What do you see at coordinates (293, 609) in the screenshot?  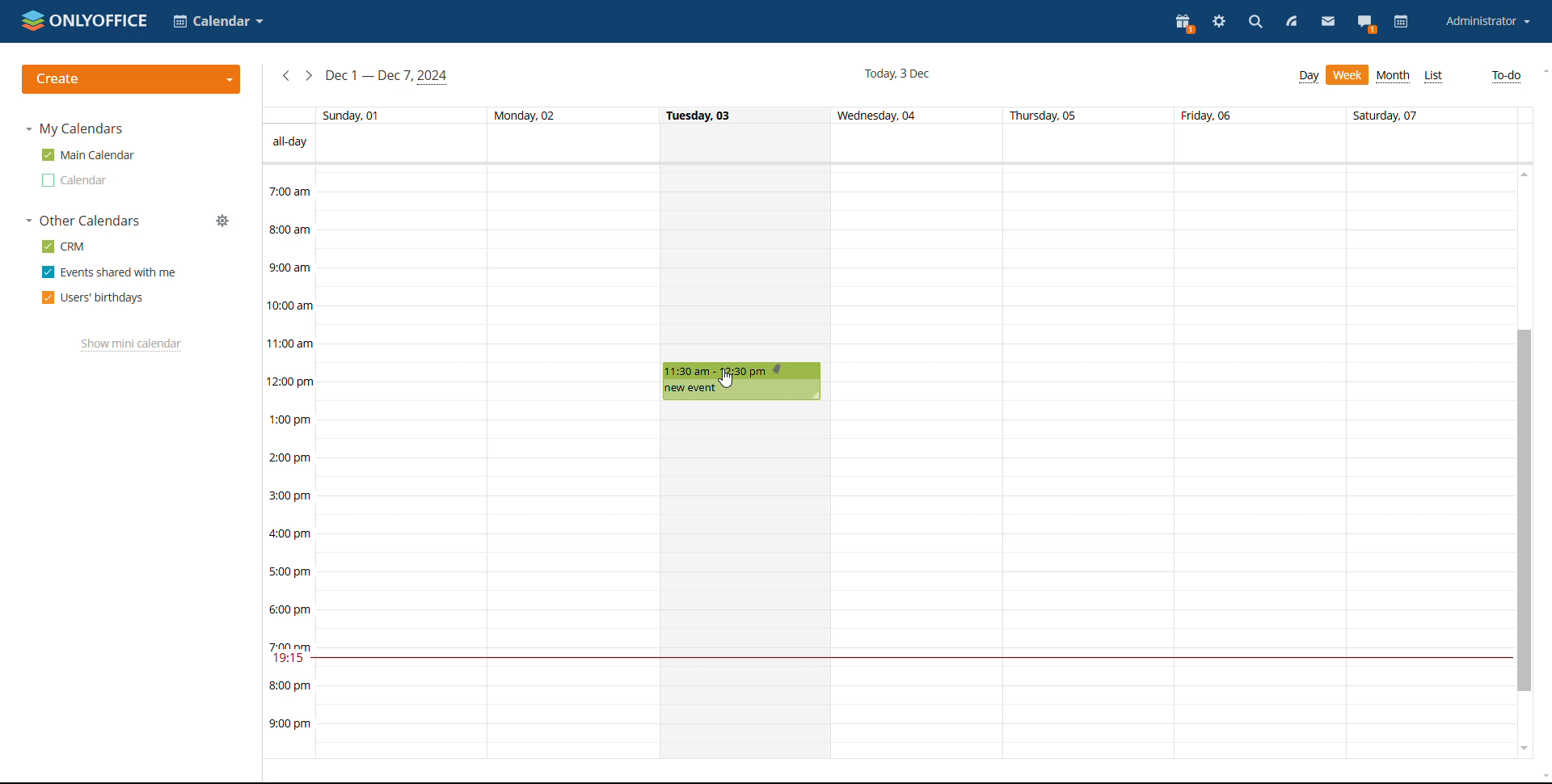 I see `6:00 pm` at bounding box center [293, 609].